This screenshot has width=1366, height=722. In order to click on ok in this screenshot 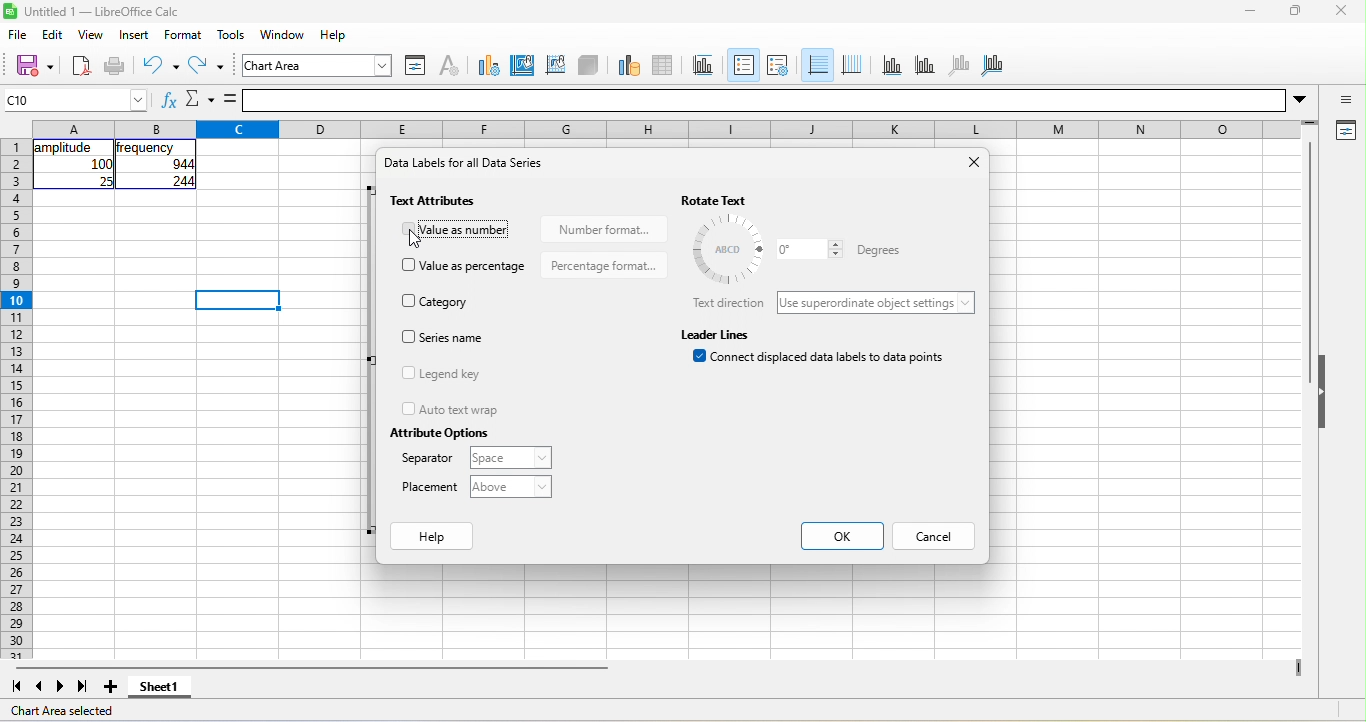, I will do `click(846, 535)`.